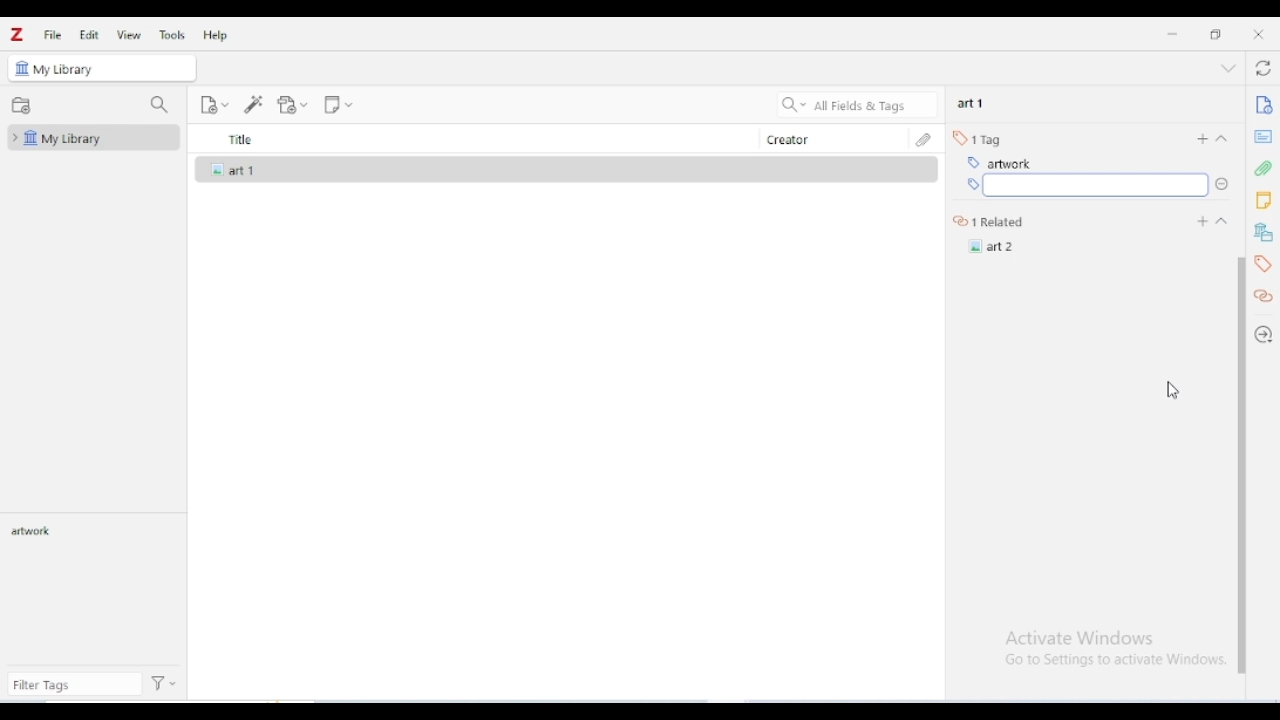 The height and width of the screenshot is (720, 1280). I want to click on actions, so click(165, 685).